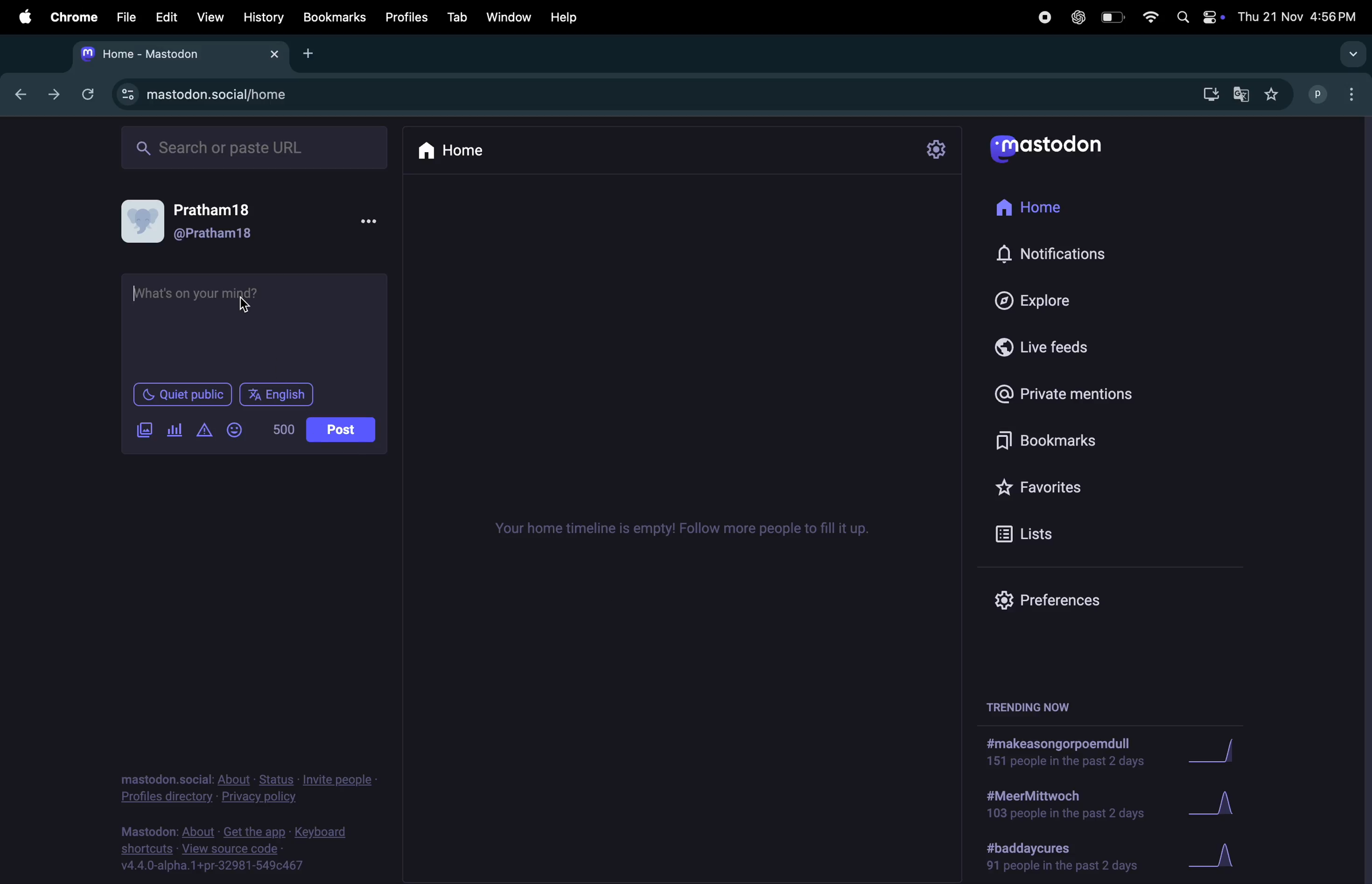 This screenshot has height=884, width=1372. What do you see at coordinates (1061, 253) in the screenshot?
I see `notifications` at bounding box center [1061, 253].